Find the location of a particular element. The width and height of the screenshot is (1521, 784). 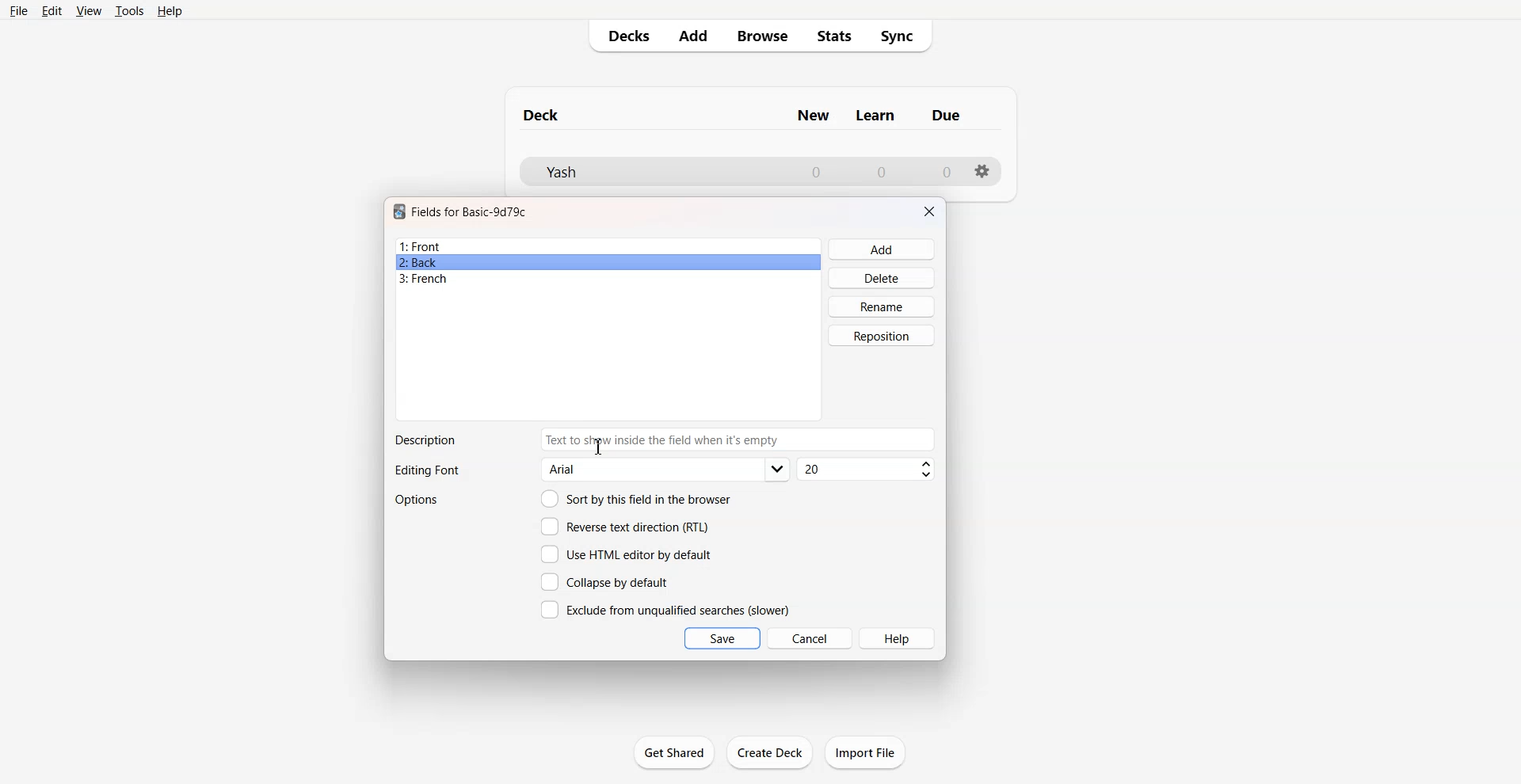

Column name is located at coordinates (813, 116).